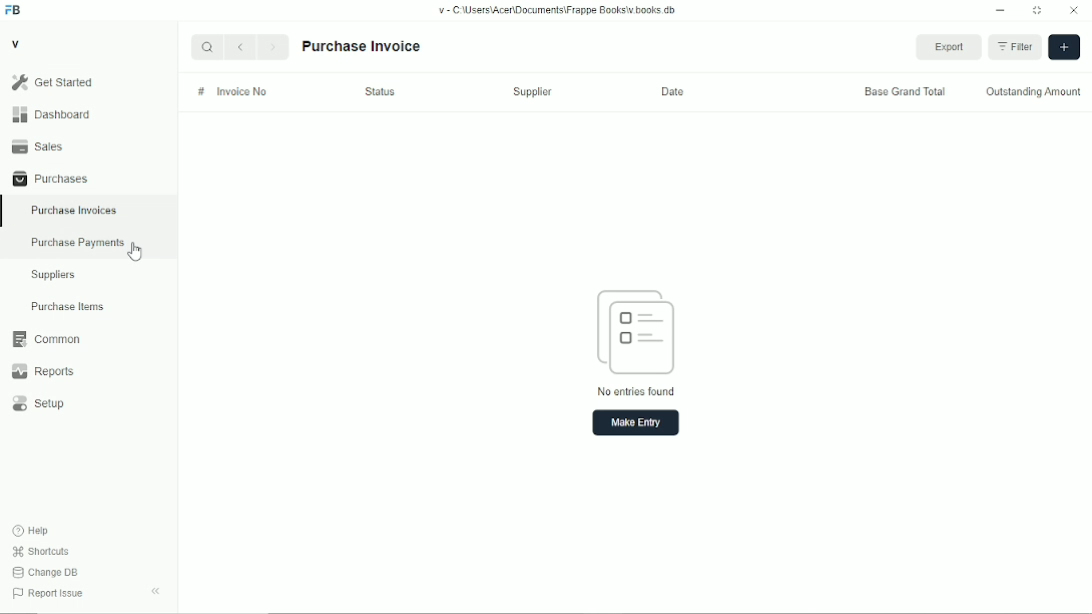  What do you see at coordinates (1037, 10) in the screenshot?
I see `Change dimension` at bounding box center [1037, 10].